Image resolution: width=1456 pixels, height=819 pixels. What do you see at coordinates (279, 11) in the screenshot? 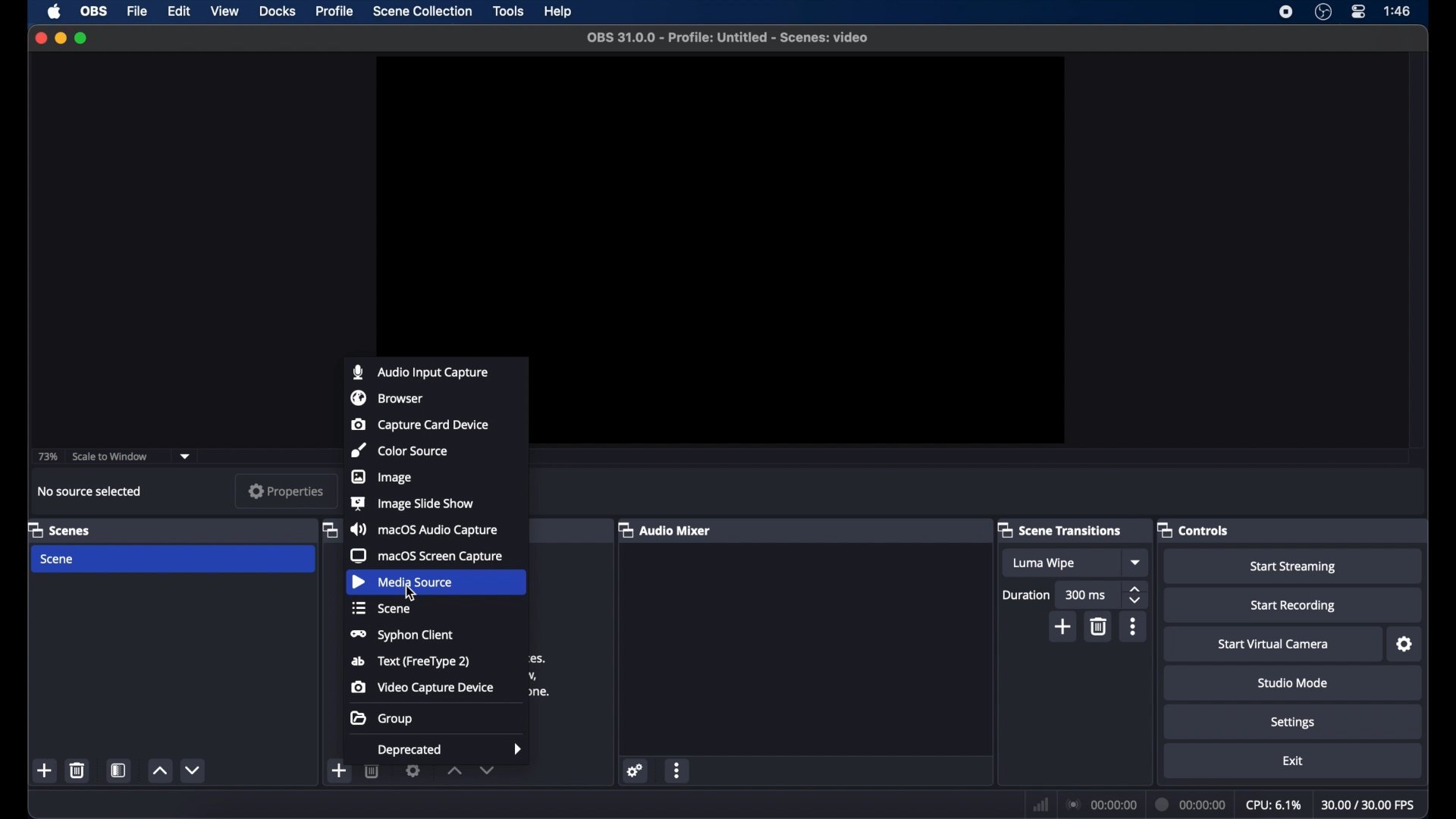
I see `docks` at bounding box center [279, 11].